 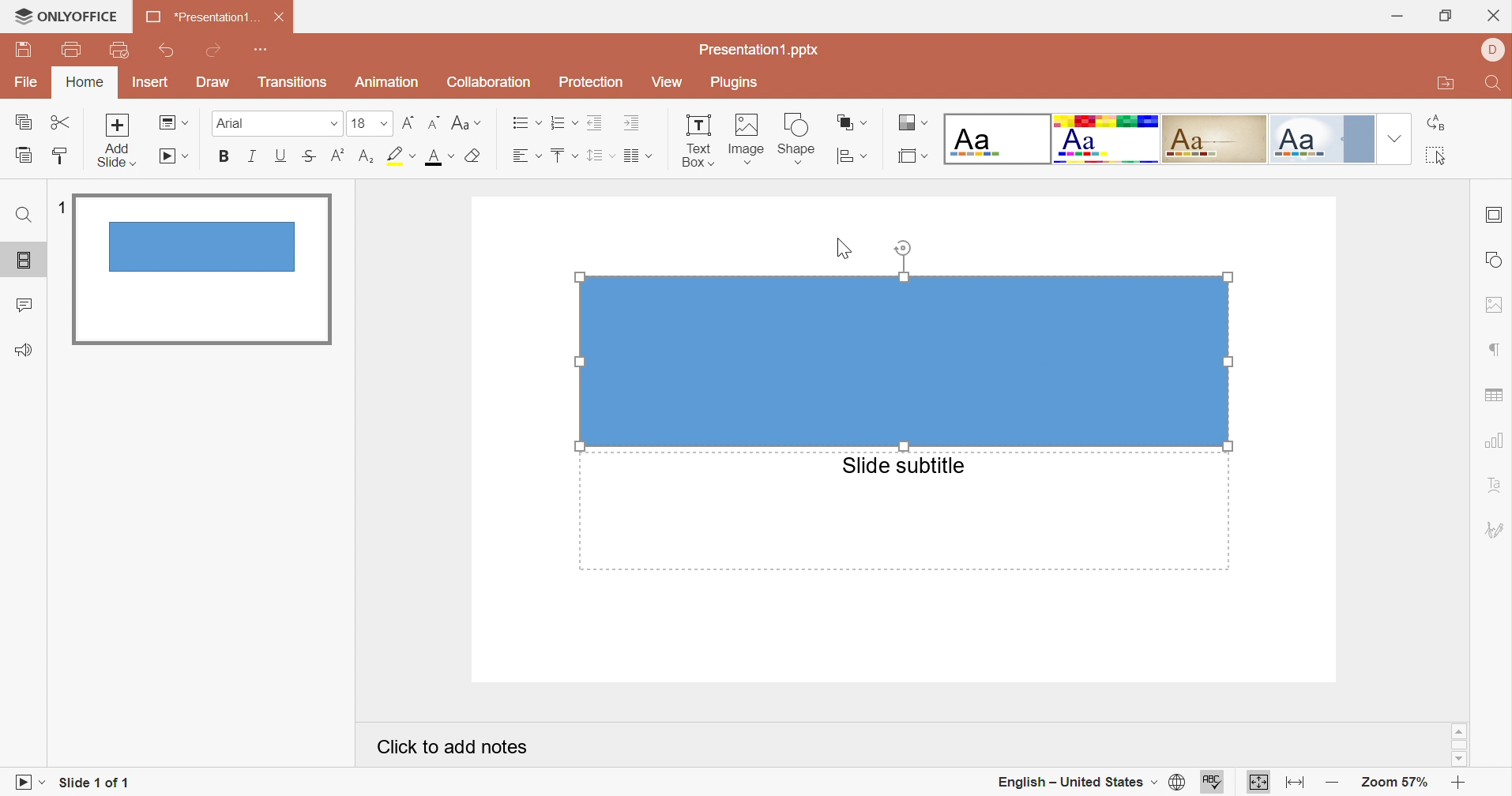 What do you see at coordinates (1396, 784) in the screenshot?
I see `Zoom 57%` at bounding box center [1396, 784].